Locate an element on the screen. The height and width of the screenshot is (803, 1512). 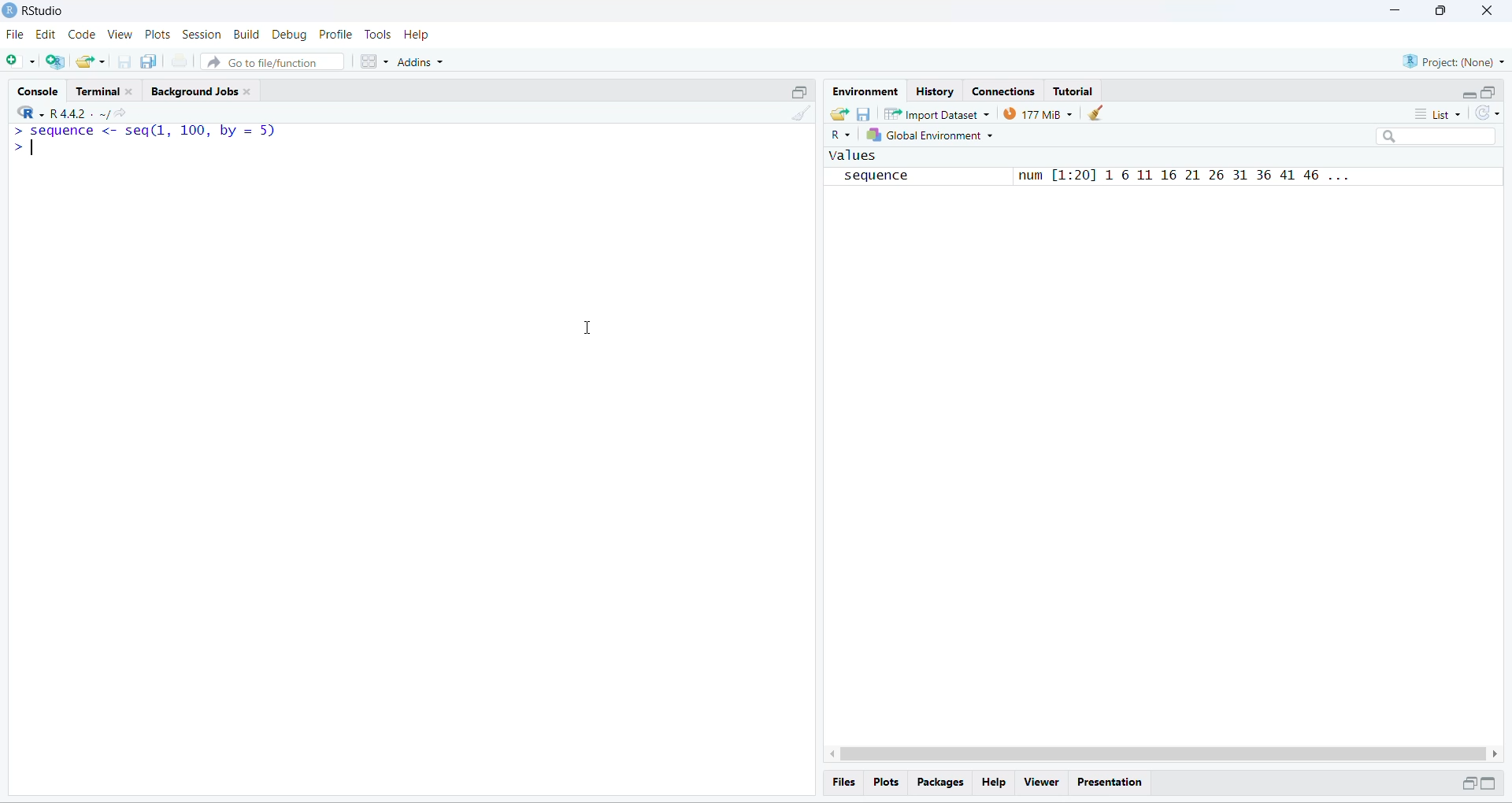
edit is located at coordinates (46, 35).